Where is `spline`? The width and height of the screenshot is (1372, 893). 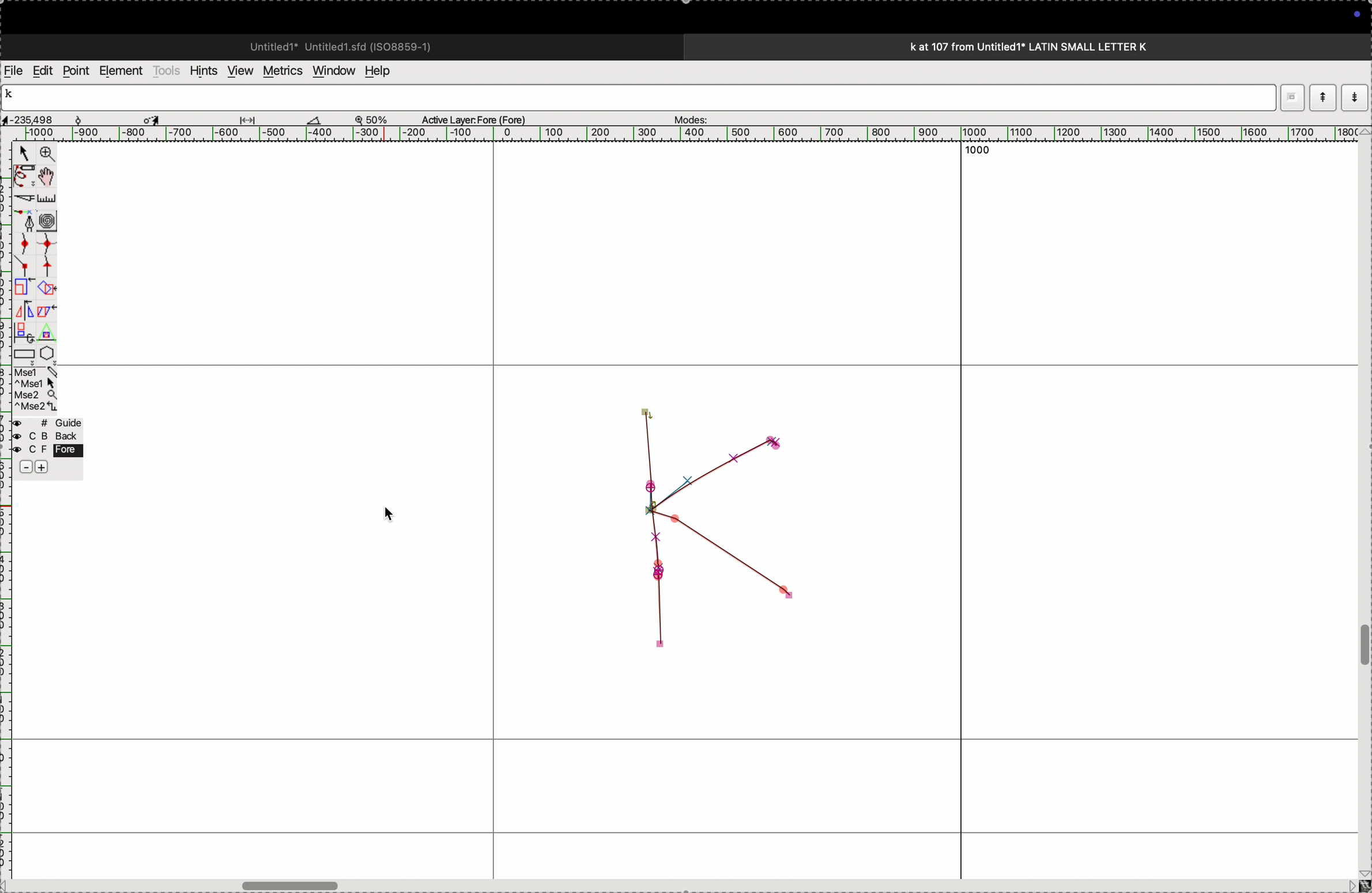
spline is located at coordinates (35, 253).